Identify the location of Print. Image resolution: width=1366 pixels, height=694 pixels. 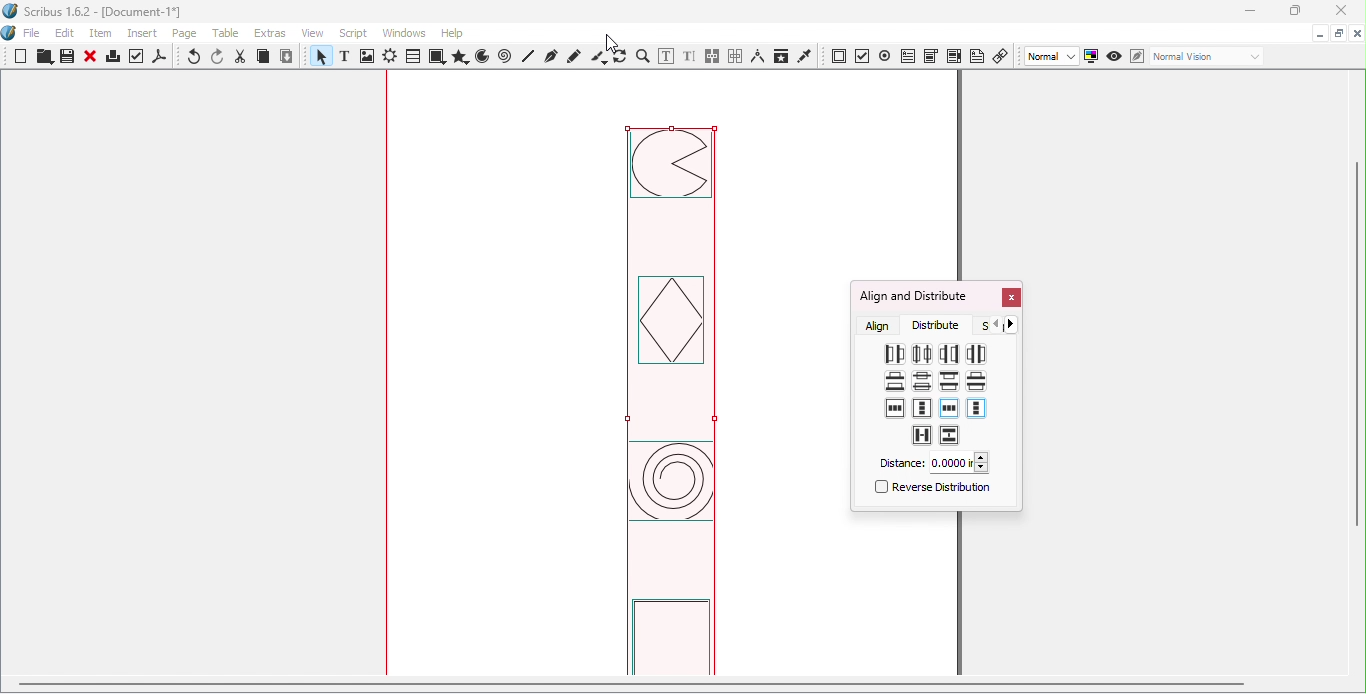
(112, 59).